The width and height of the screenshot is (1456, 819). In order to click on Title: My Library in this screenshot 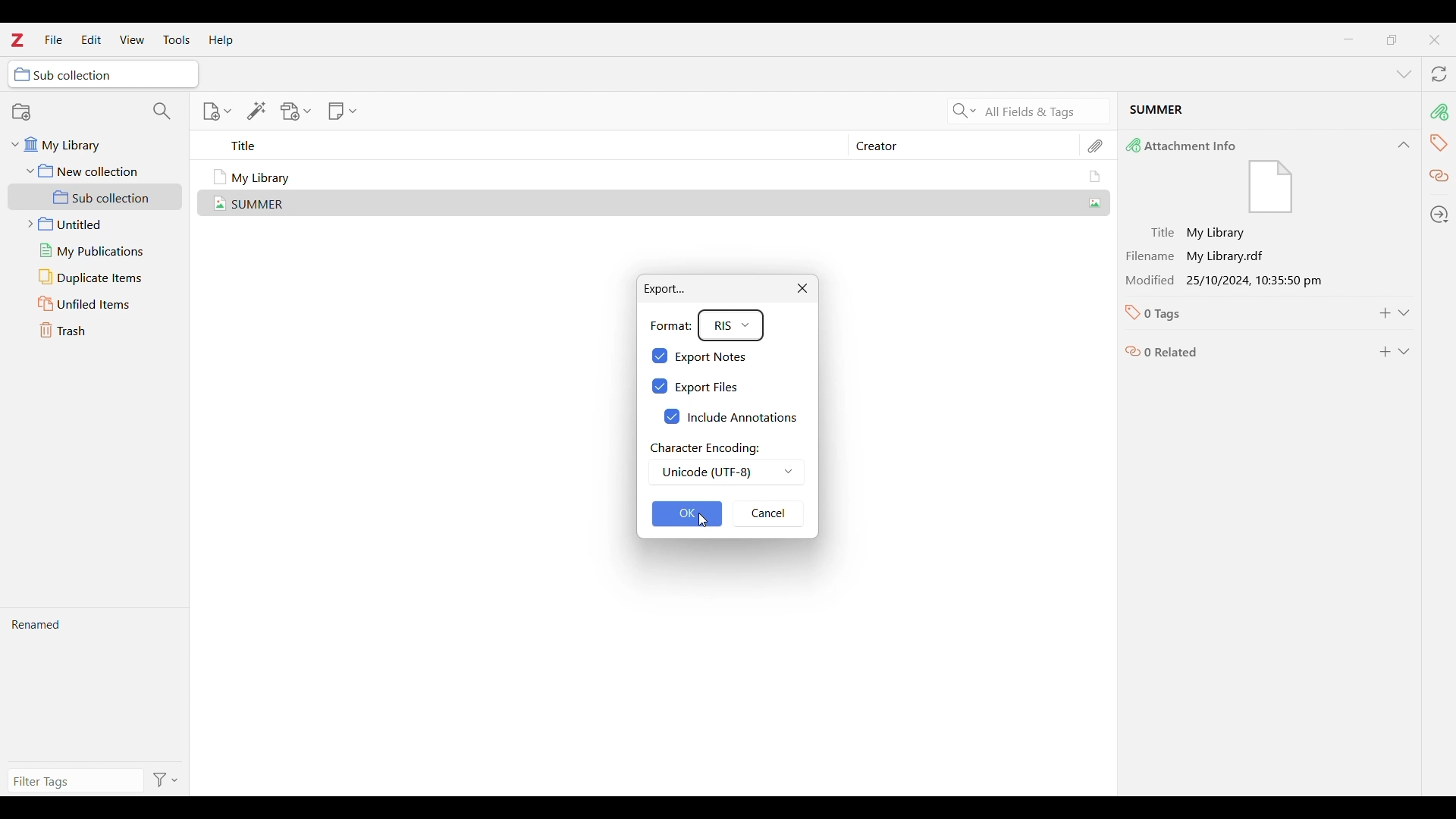, I will do `click(1241, 234)`.